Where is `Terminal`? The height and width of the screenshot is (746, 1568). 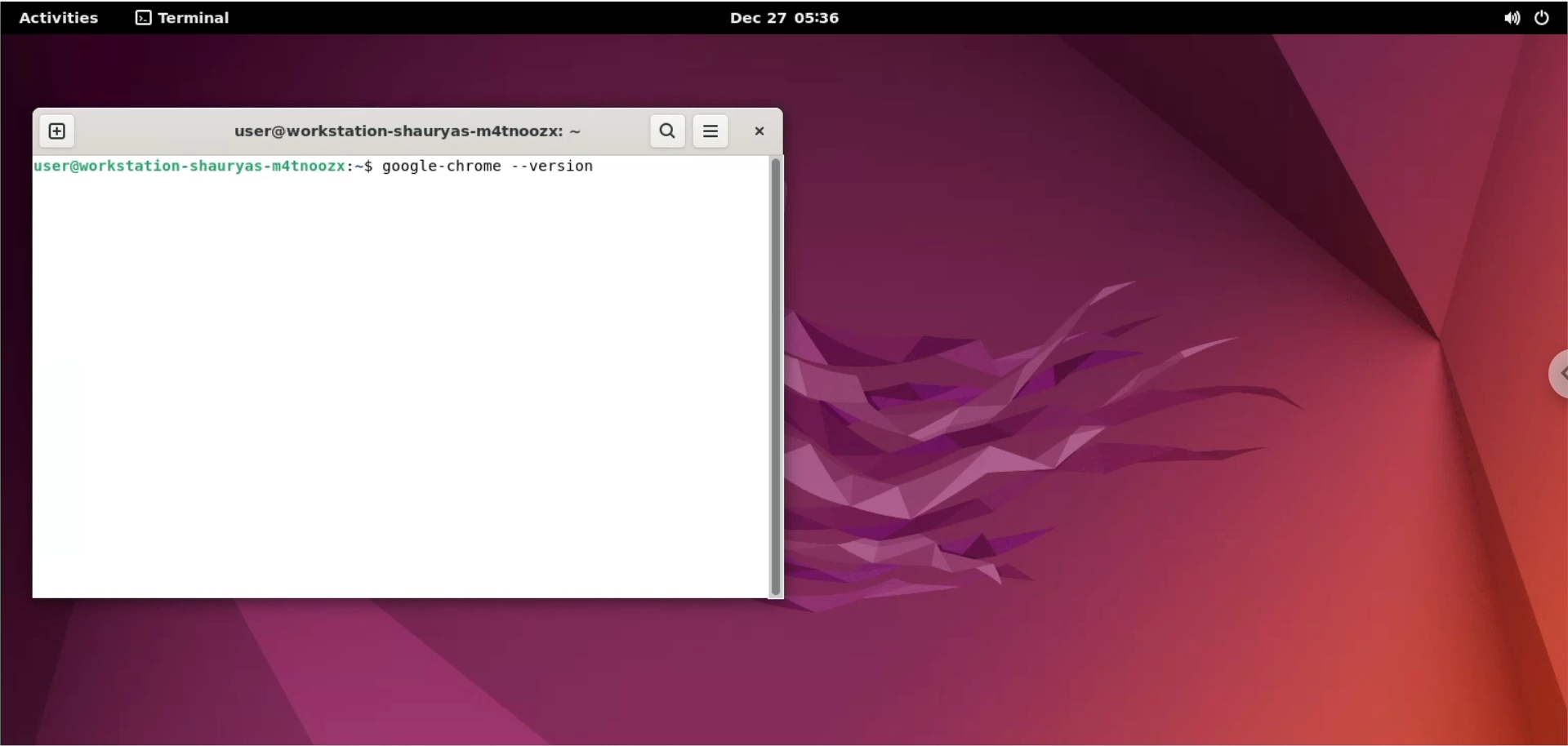 Terminal is located at coordinates (179, 18).